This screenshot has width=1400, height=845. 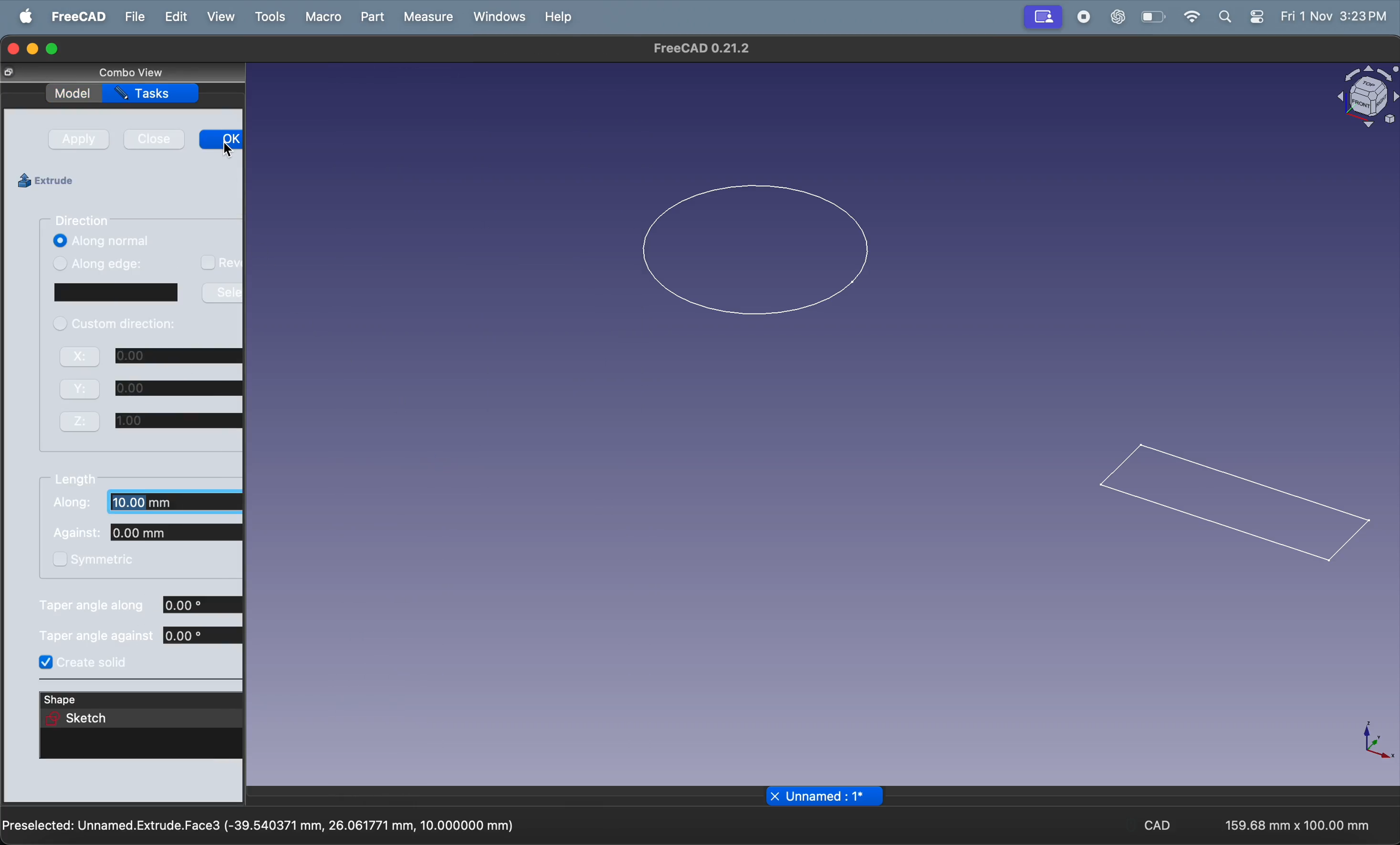 I want to click on shape, so click(x=67, y=699).